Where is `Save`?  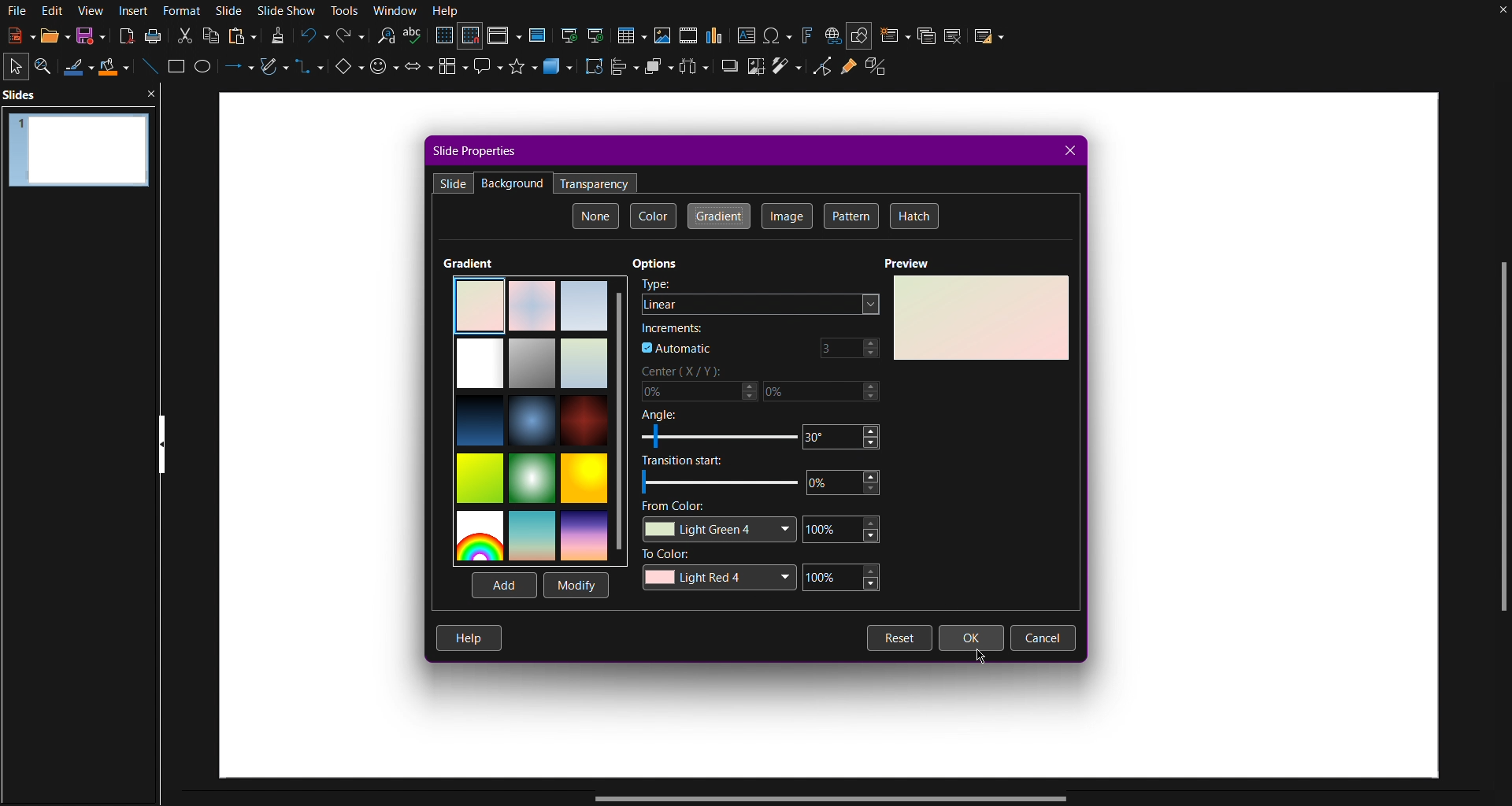
Save is located at coordinates (87, 38).